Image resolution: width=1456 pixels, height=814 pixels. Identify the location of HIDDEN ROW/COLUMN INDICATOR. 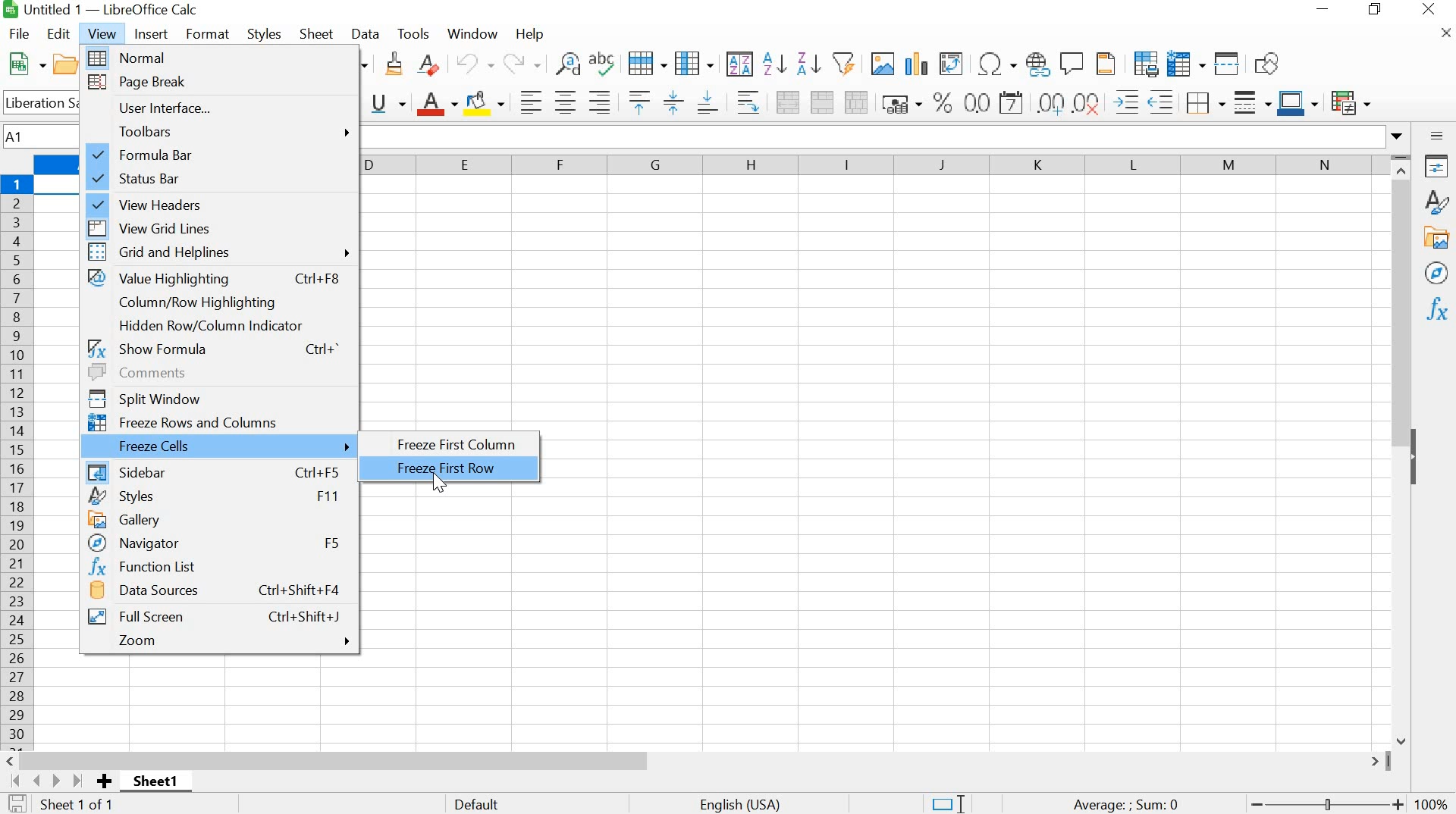
(210, 325).